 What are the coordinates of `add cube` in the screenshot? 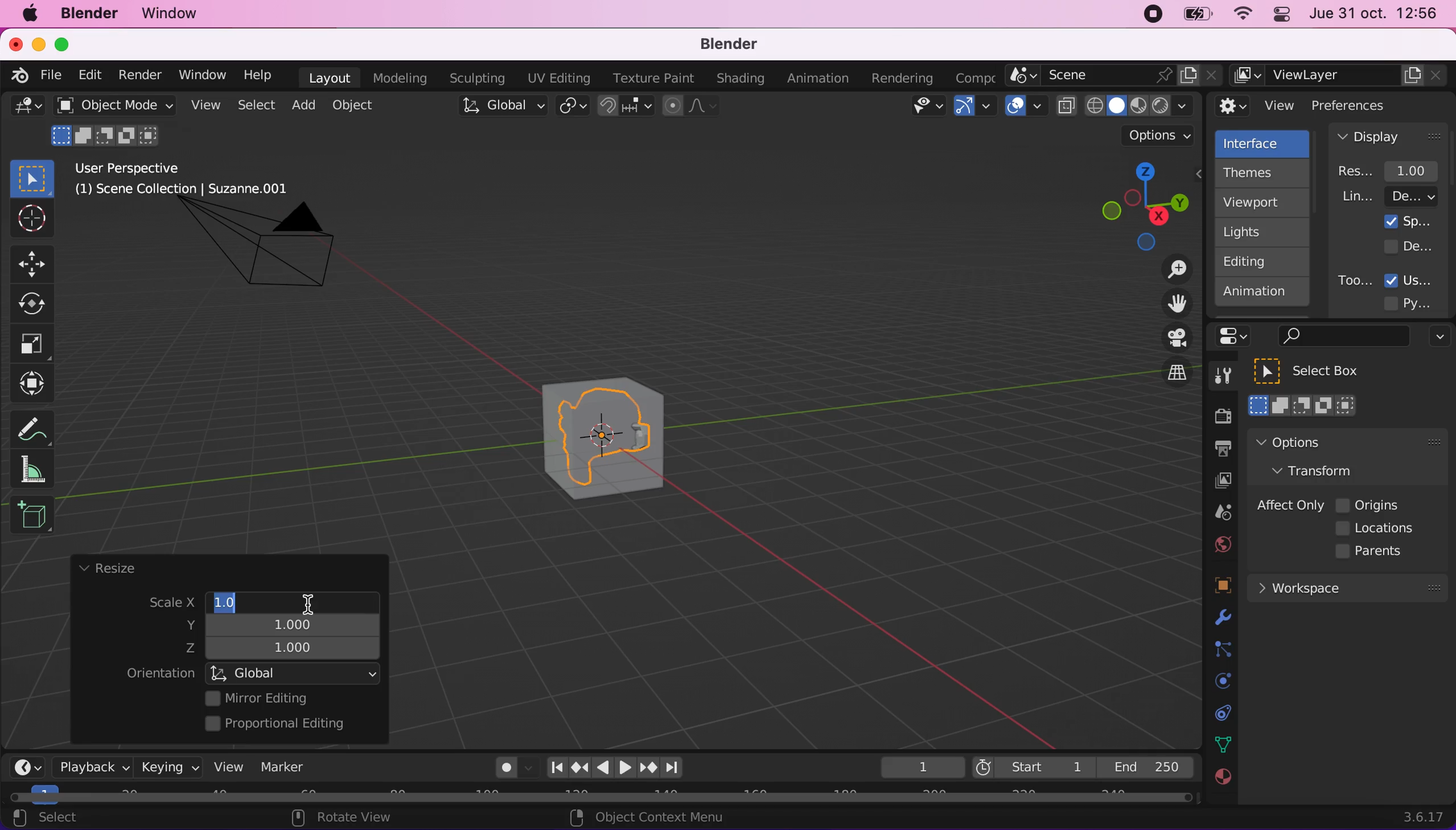 It's located at (32, 516).